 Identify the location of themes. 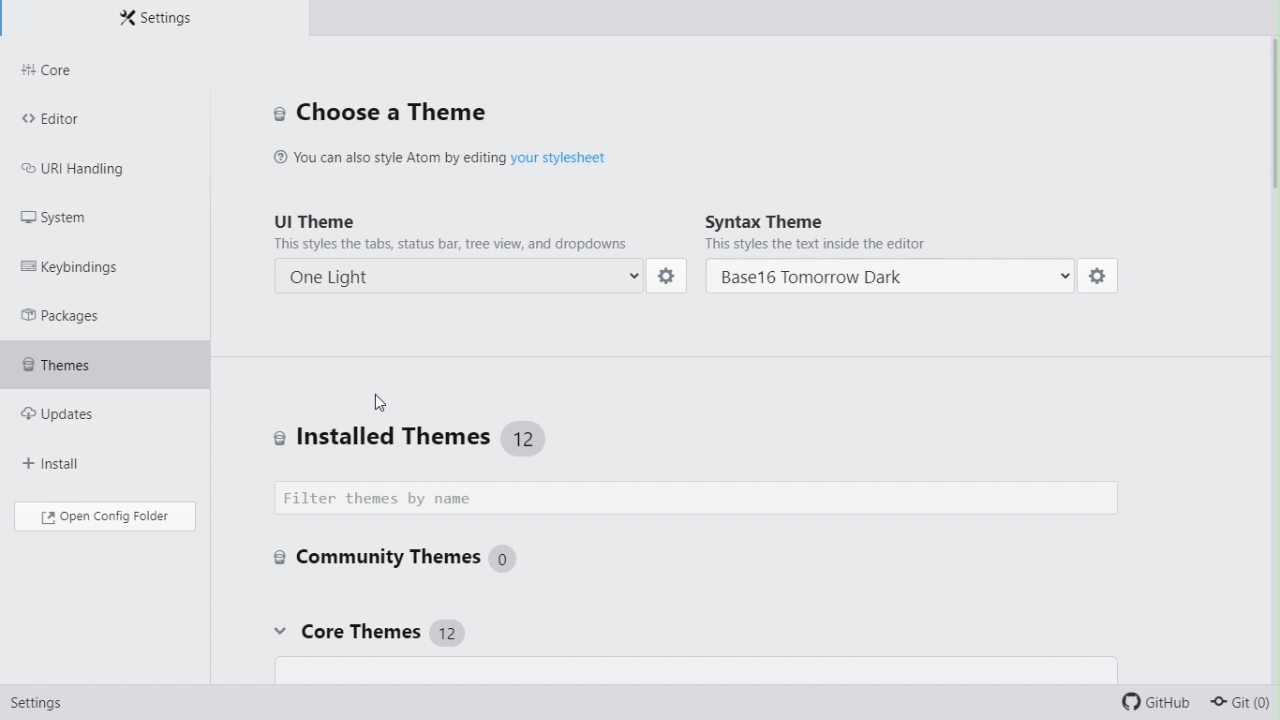
(98, 363).